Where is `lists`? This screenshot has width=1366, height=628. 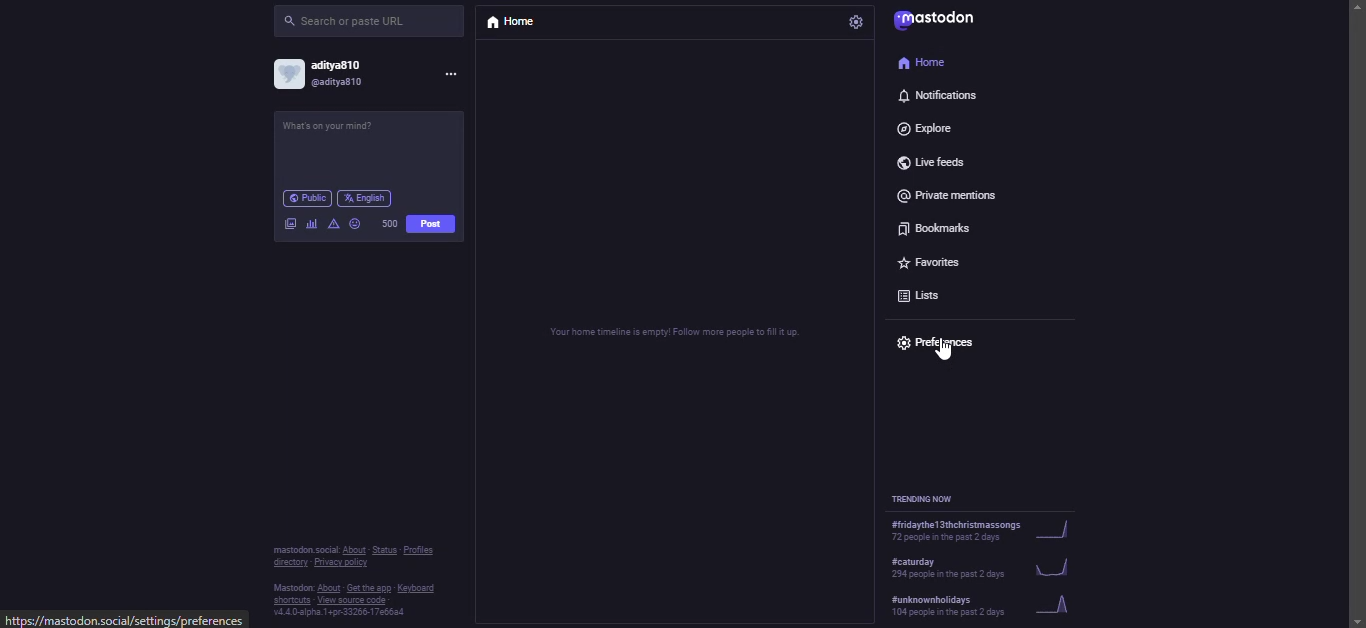 lists is located at coordinates (923, 292).